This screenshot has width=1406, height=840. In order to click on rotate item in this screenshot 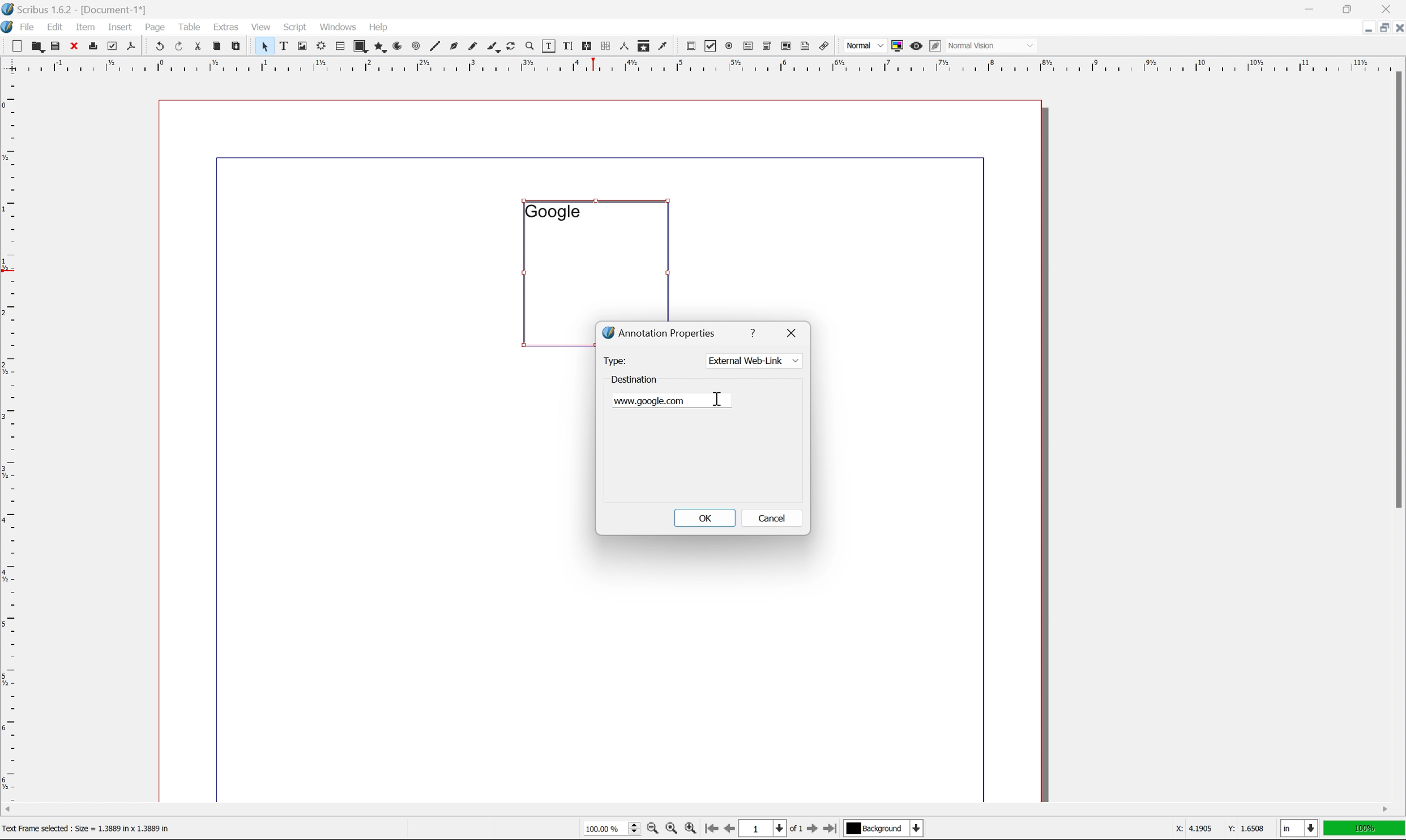, I will do `click(511, 47)`.